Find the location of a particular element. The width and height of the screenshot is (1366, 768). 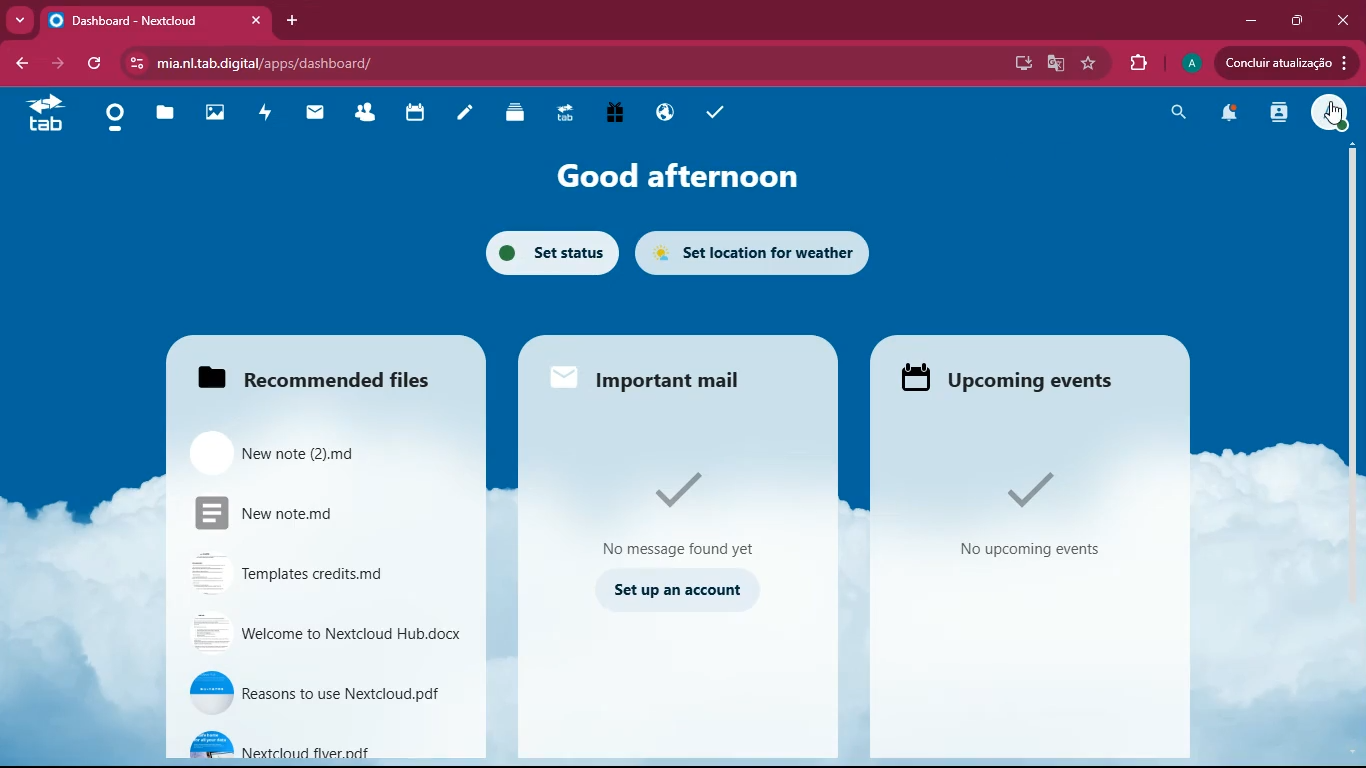

activity is located at coordinates (1276, 113).